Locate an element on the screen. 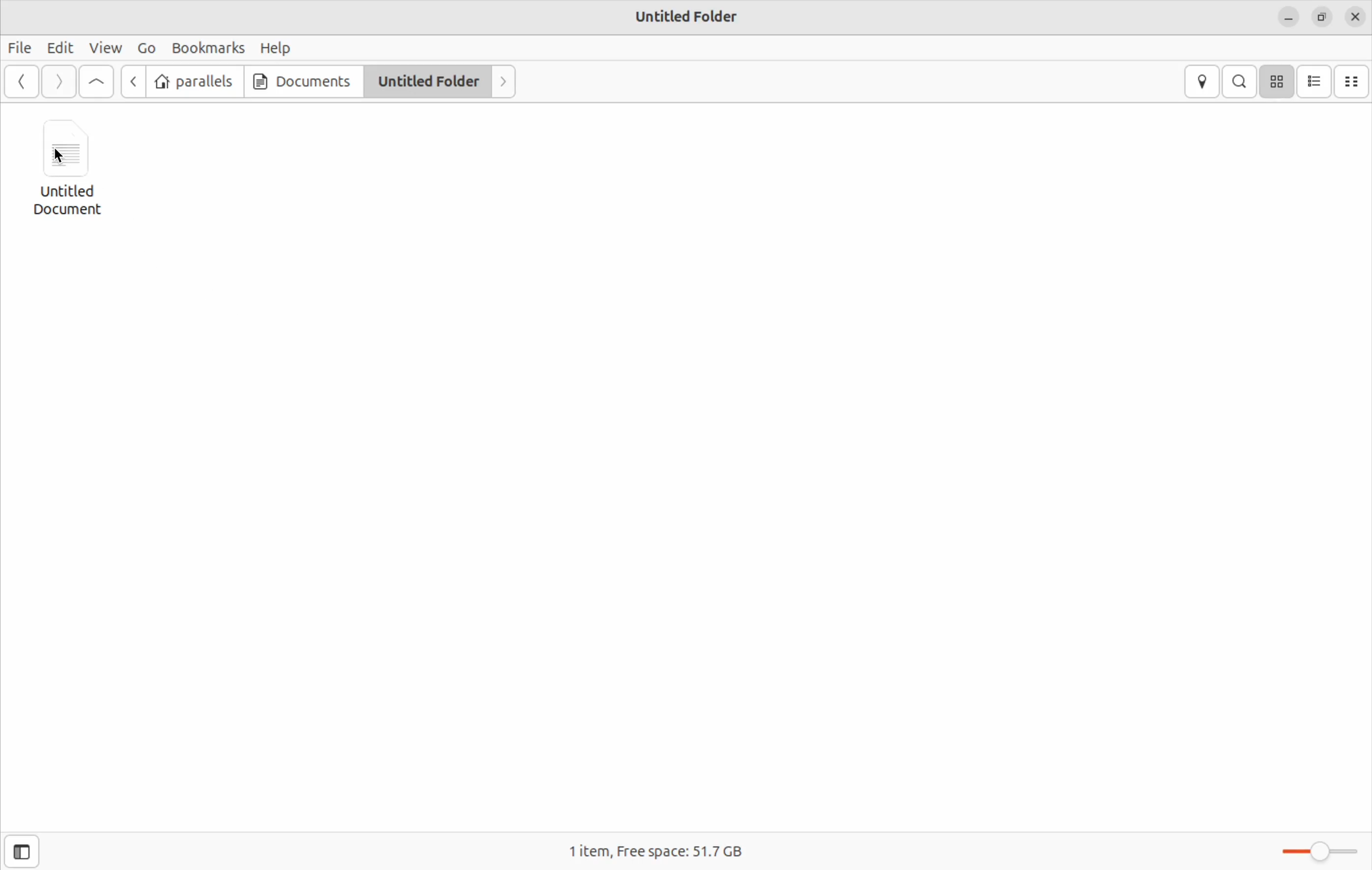  Cursor is located at coordinates (63, 157).